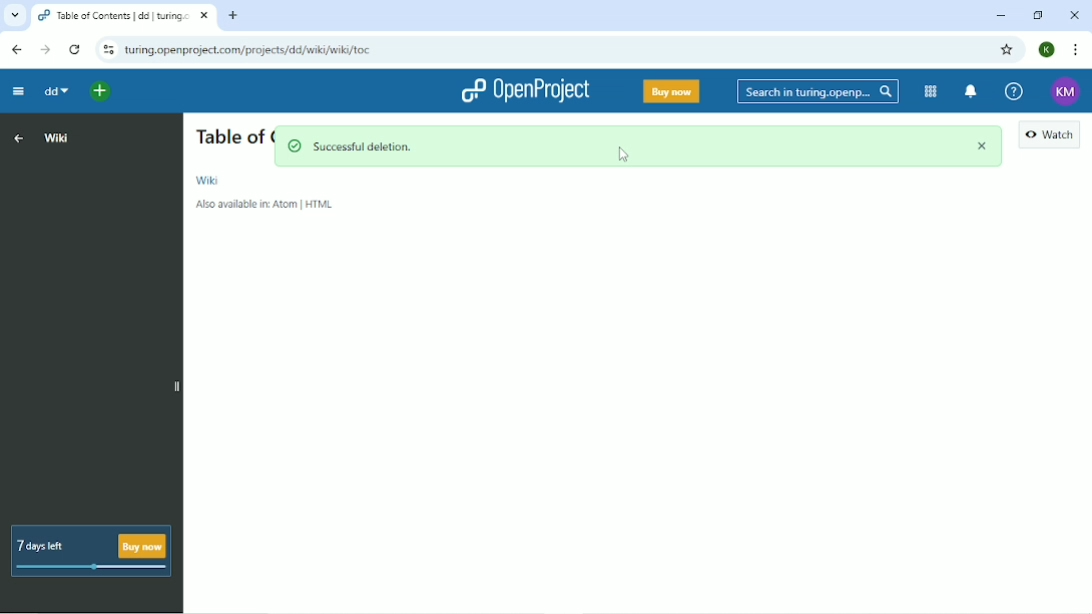 The image size is (1092, 614). Describe the element at coordinates (16, 50) in the screenshot. I see `Back` at that location.